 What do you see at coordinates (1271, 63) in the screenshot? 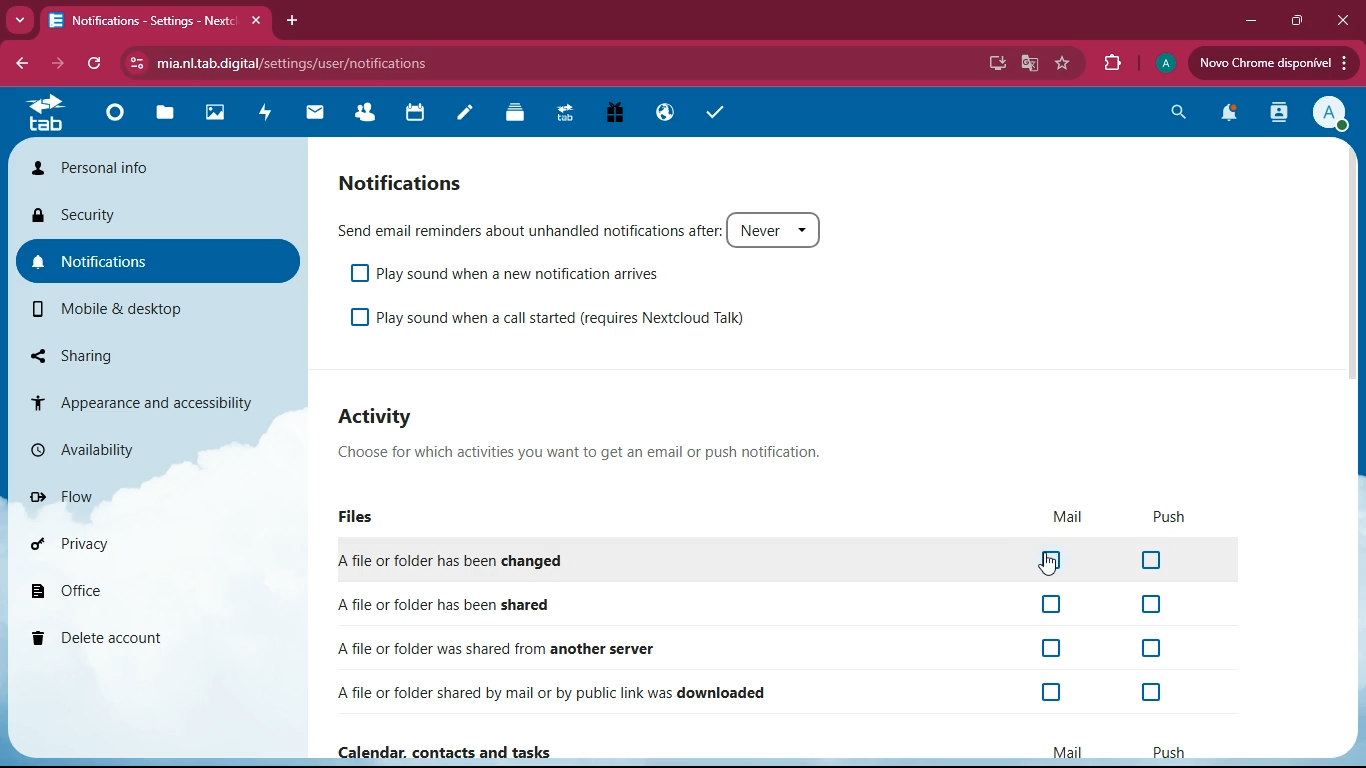
I see `update` at bounding box center [1271, 63].